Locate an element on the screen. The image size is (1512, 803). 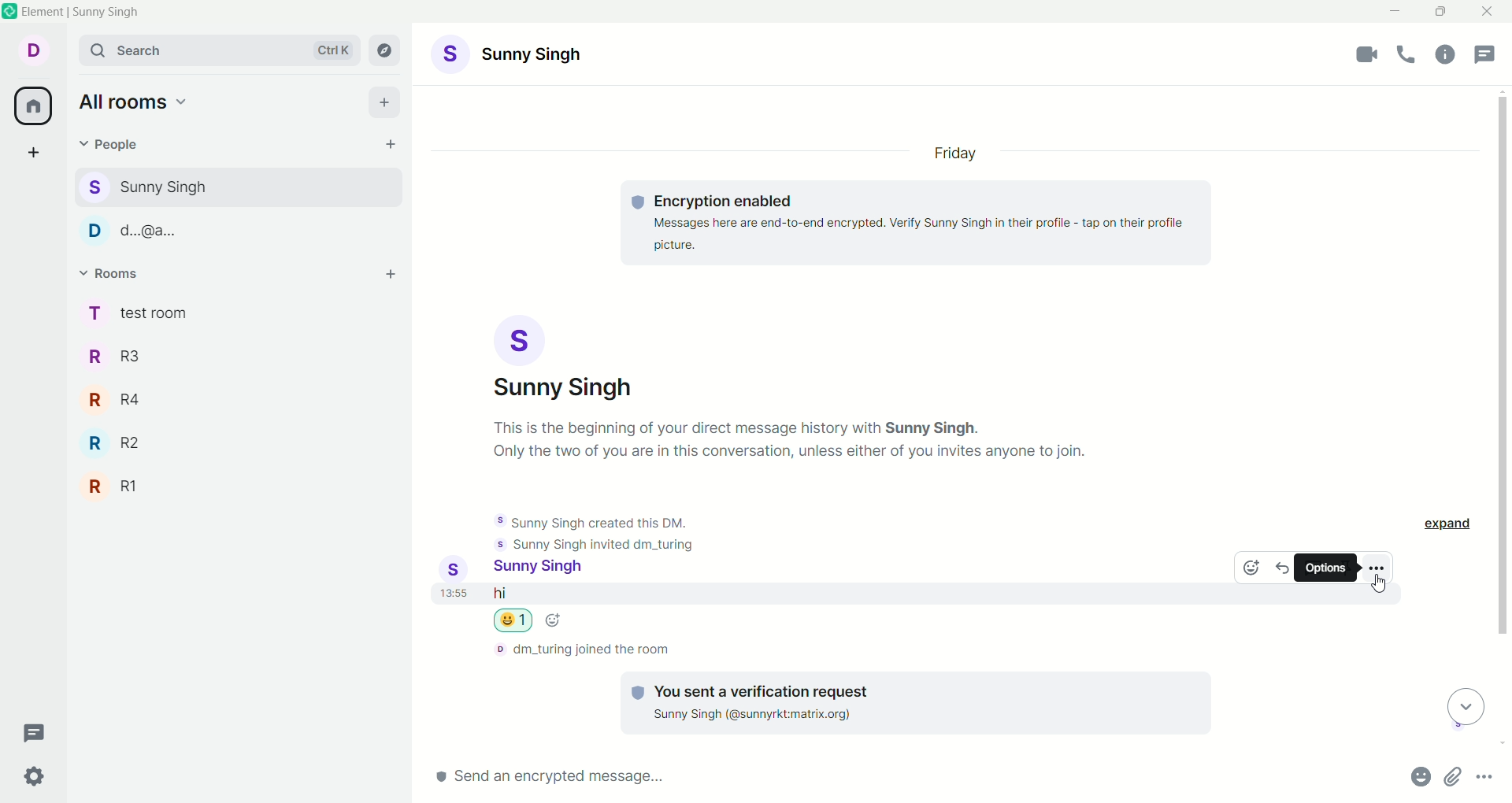
options is located at coordinates (1376, 567).